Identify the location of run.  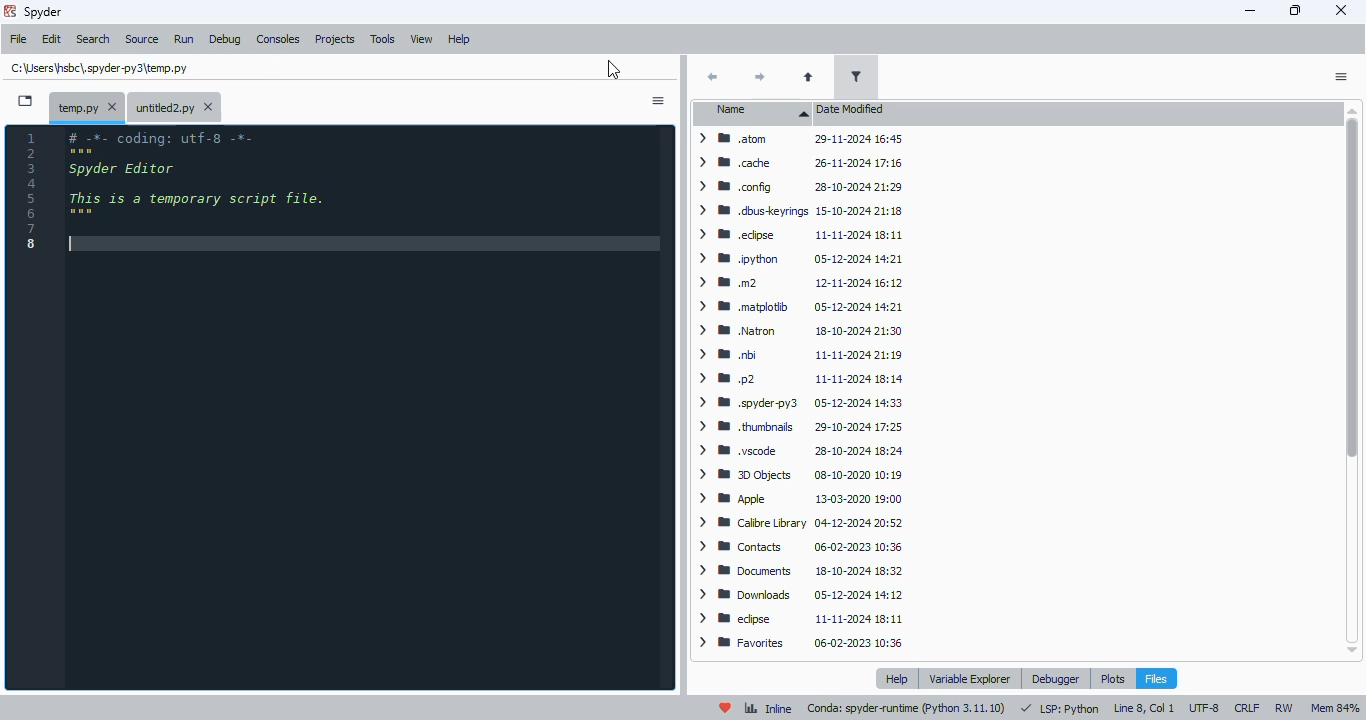
(184, 39).